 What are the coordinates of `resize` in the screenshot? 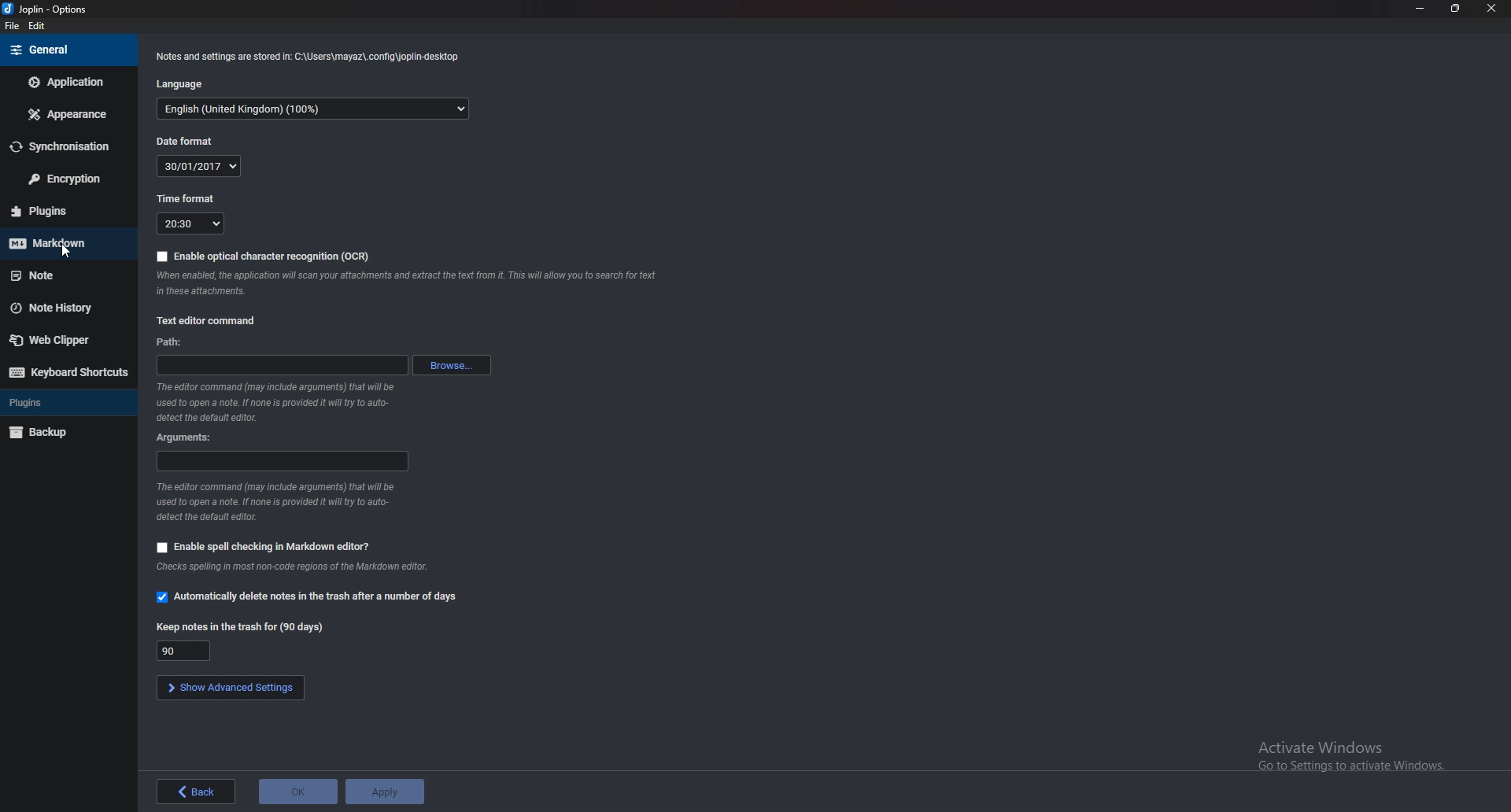 It's located at (1454, 8).